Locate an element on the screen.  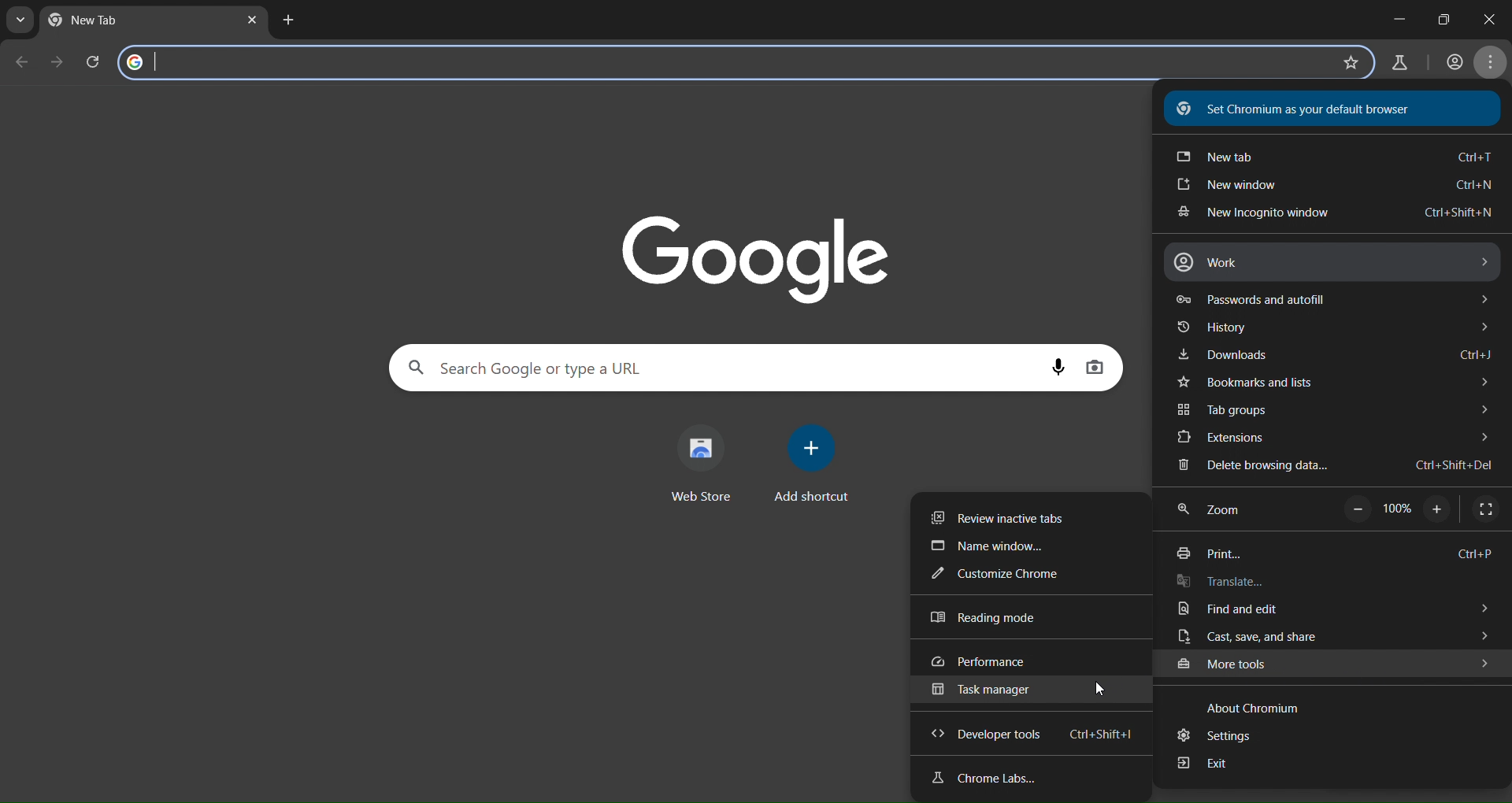
close is located at coordinates (1497, 18).